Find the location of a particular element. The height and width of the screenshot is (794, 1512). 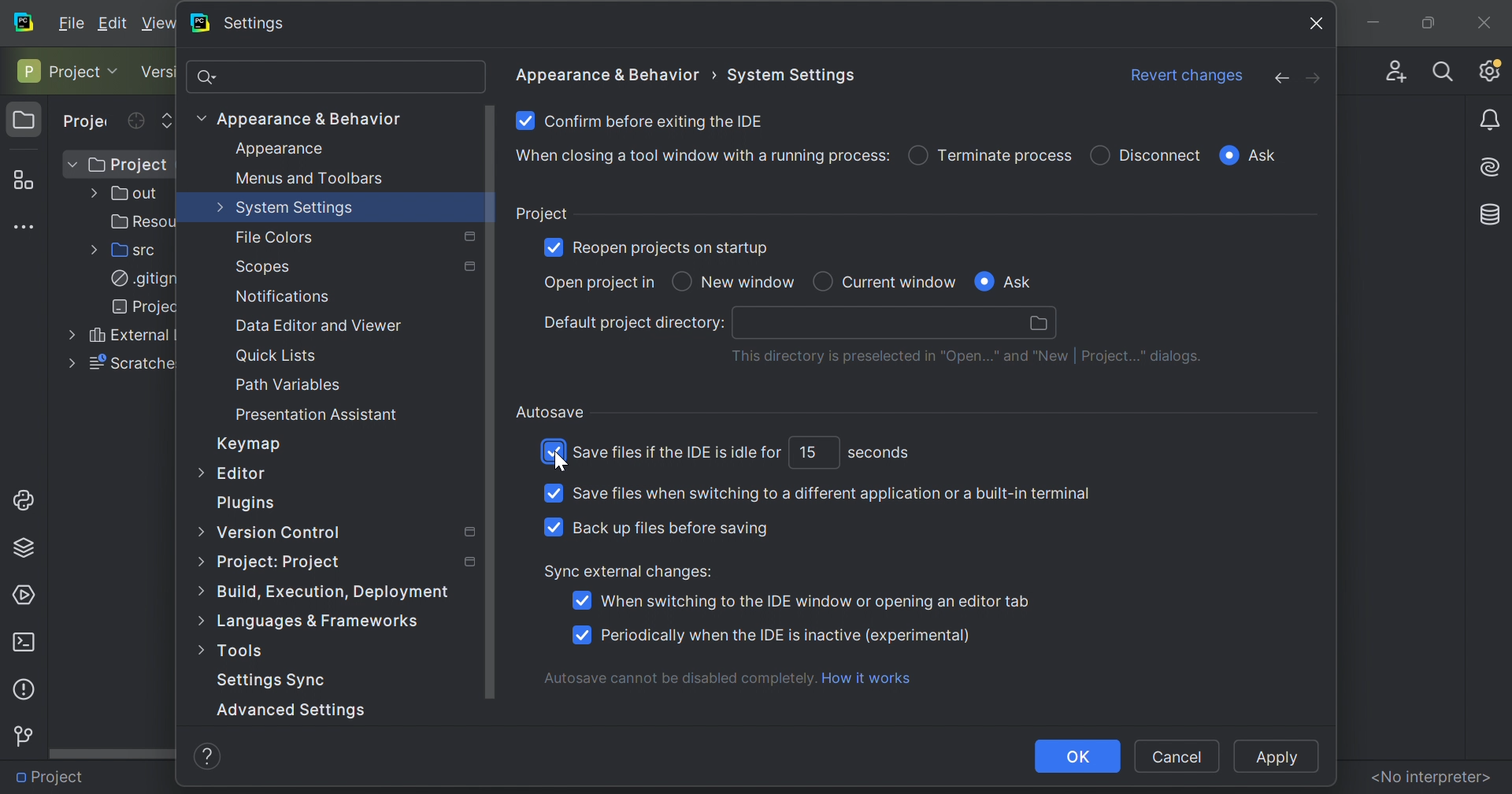

Settings Sync is located at coordinates (273, 681).